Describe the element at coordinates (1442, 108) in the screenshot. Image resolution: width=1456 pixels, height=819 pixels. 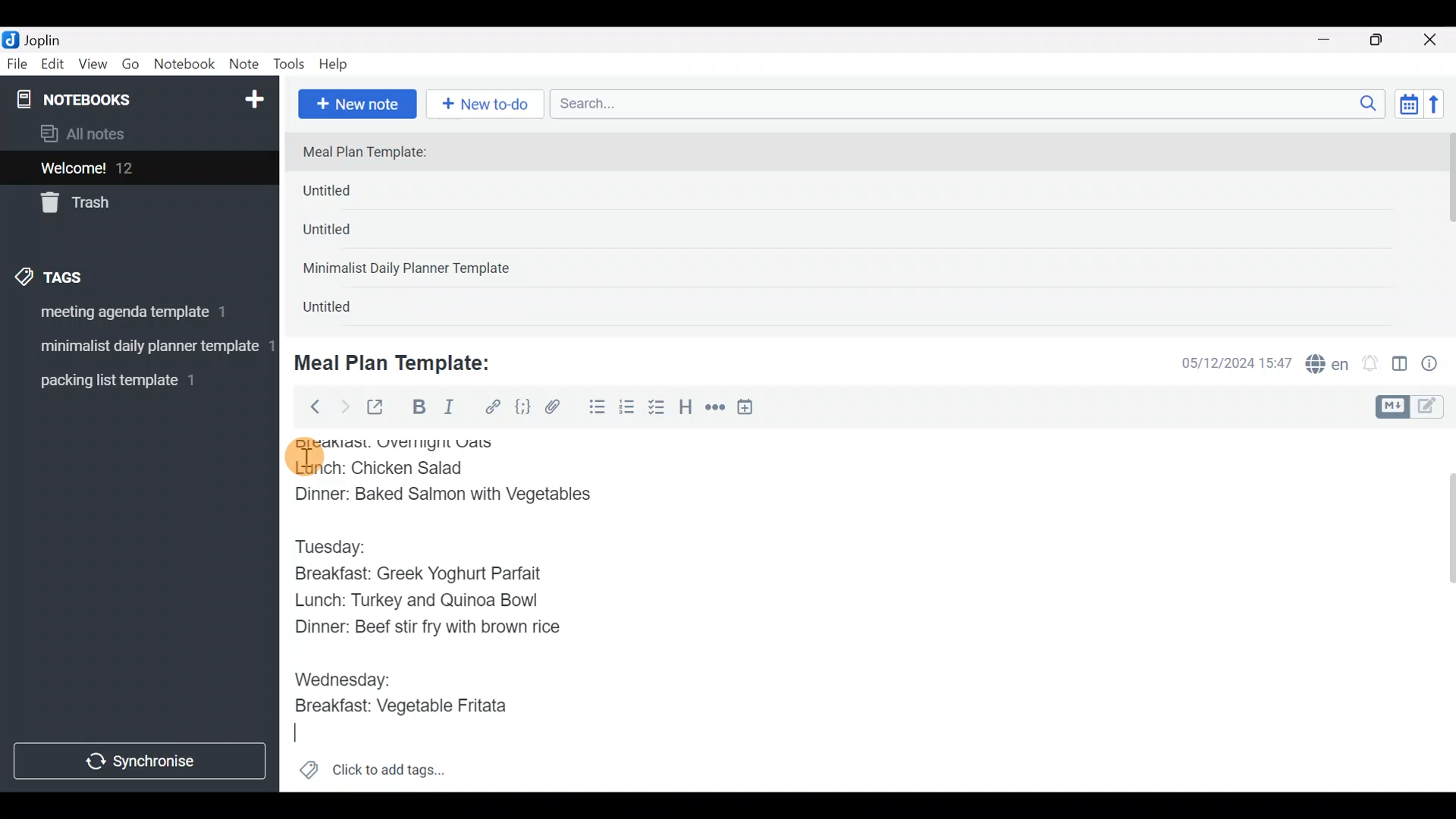
I see `Reverse sort` at that location.